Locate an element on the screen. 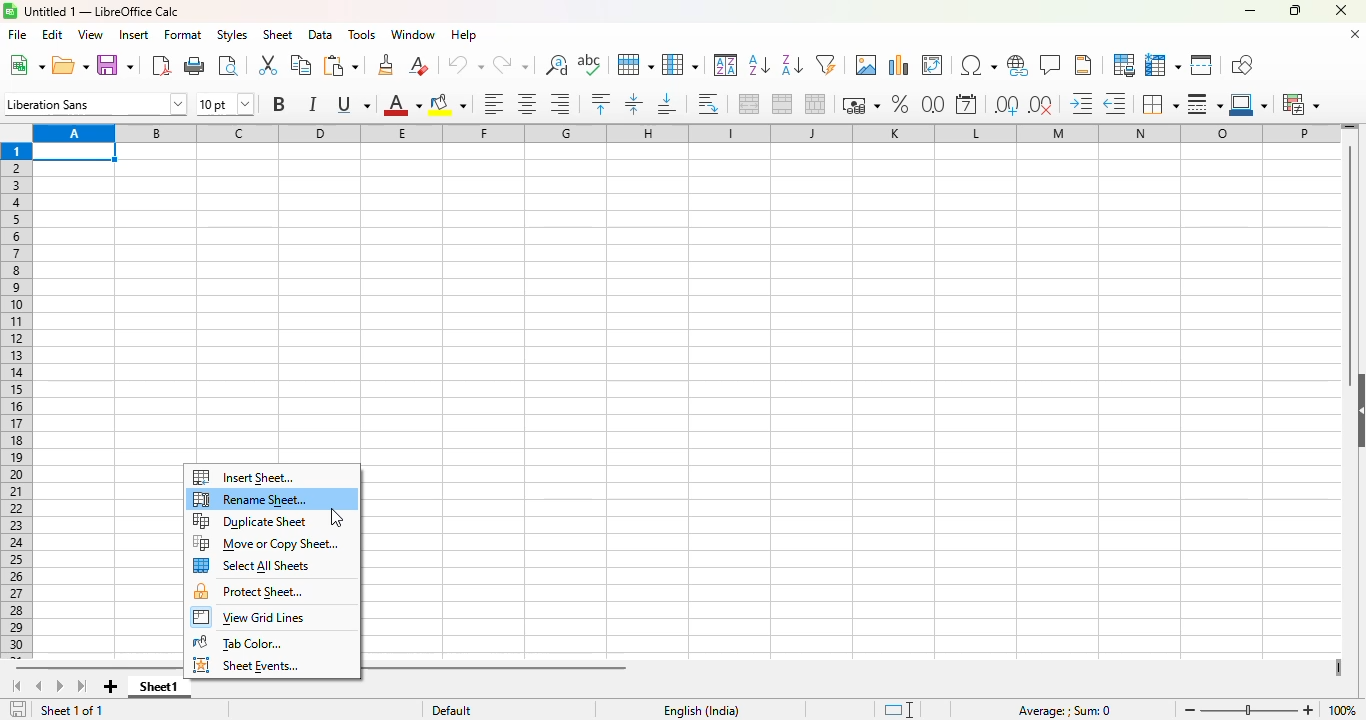 The width and height of the screenshot is (1366, 720). column is located at coordinates (680, 65).